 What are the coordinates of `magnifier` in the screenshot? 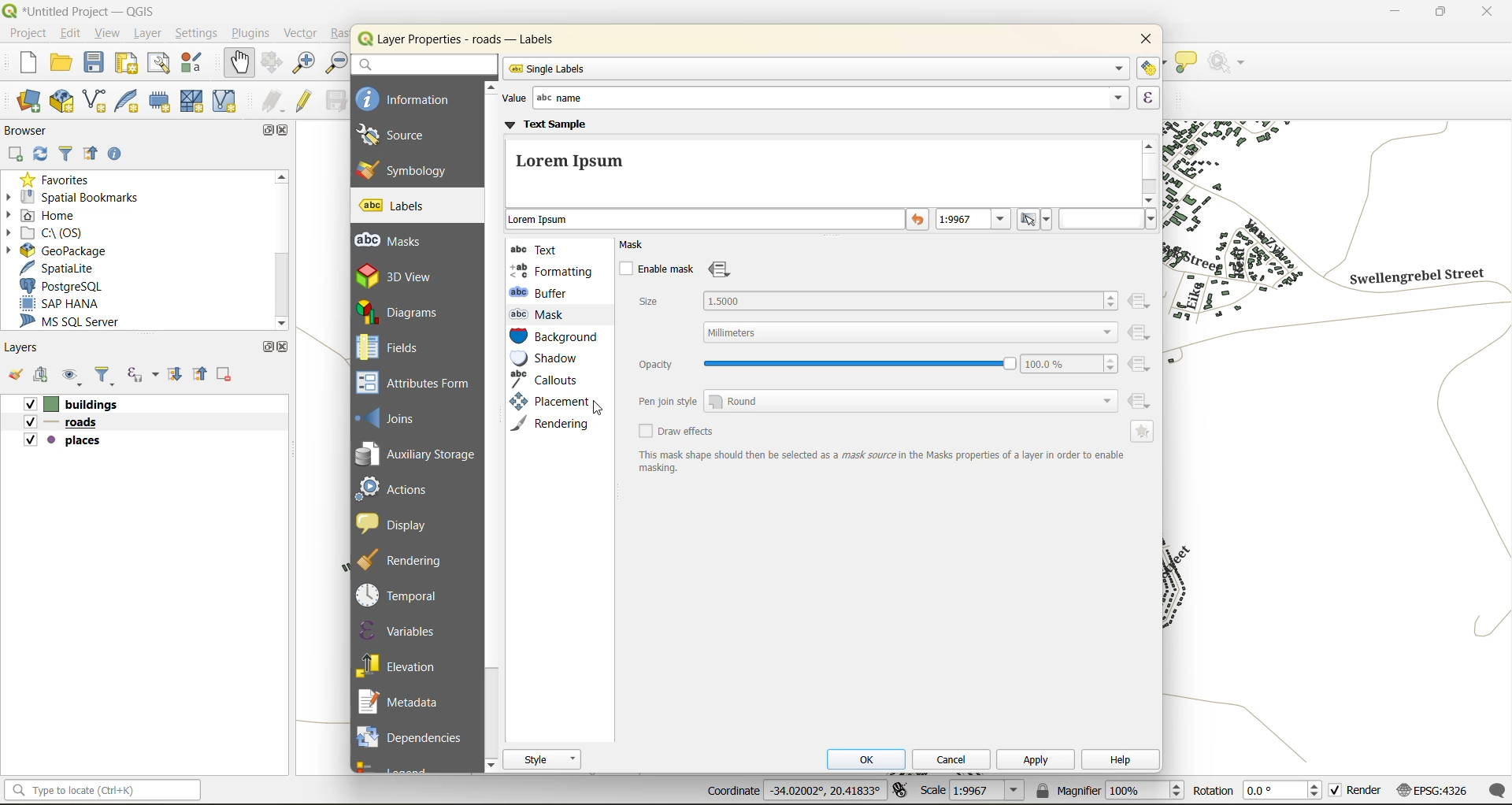 It's located at (1108, 790).